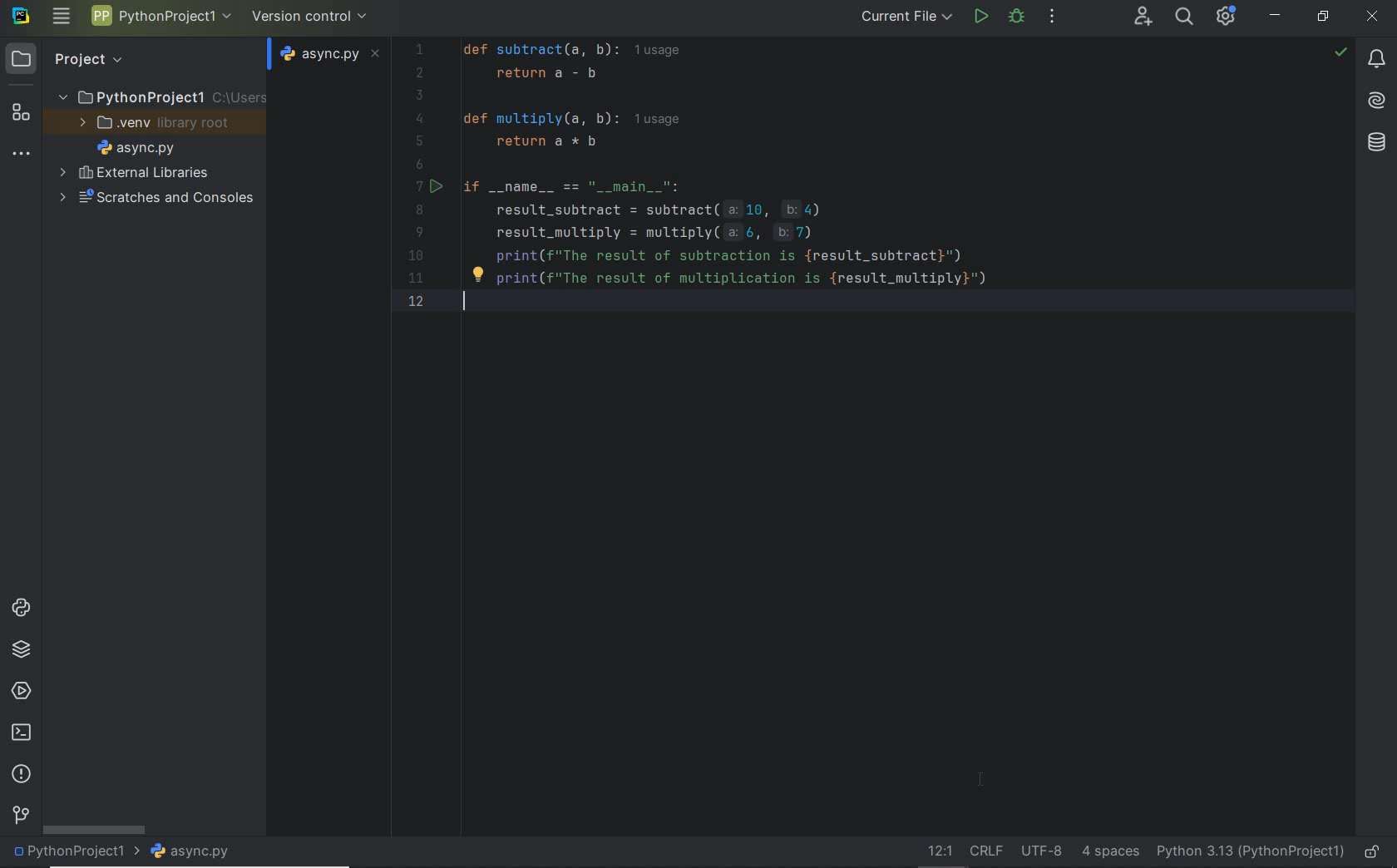  I want to click on python console, so click(24, 609).